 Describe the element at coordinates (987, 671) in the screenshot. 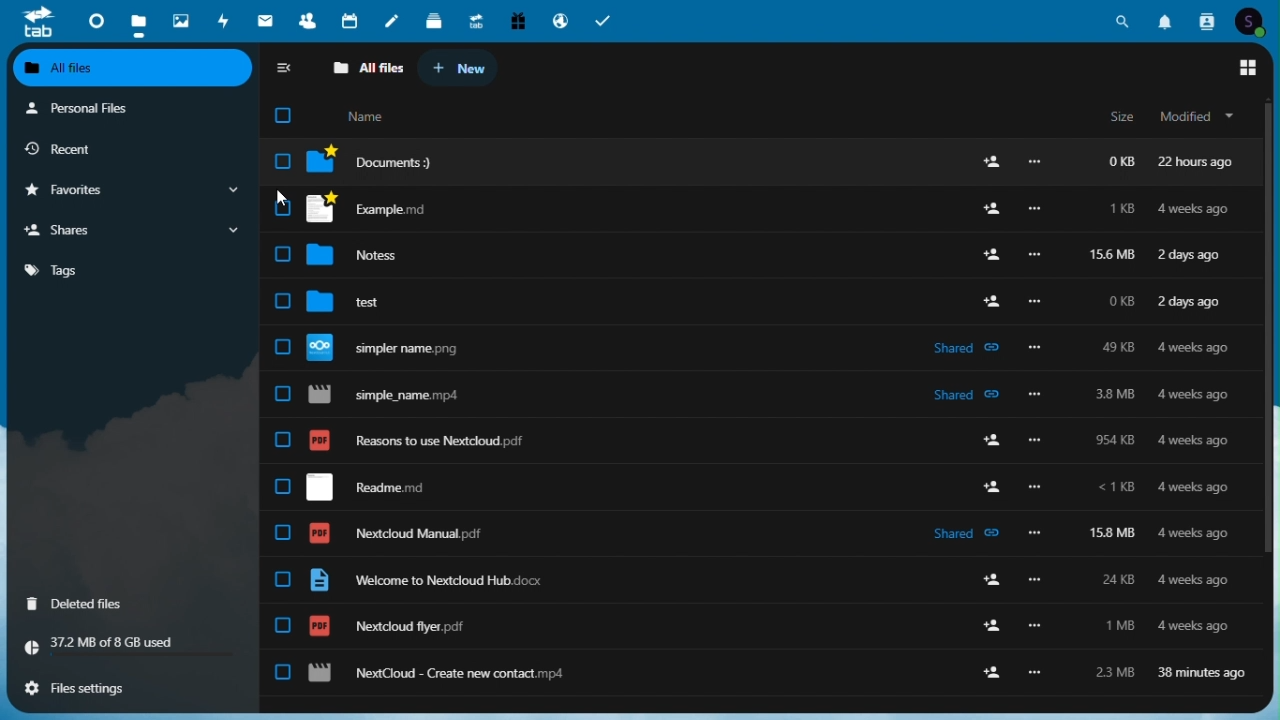

I see `add user` at that location.